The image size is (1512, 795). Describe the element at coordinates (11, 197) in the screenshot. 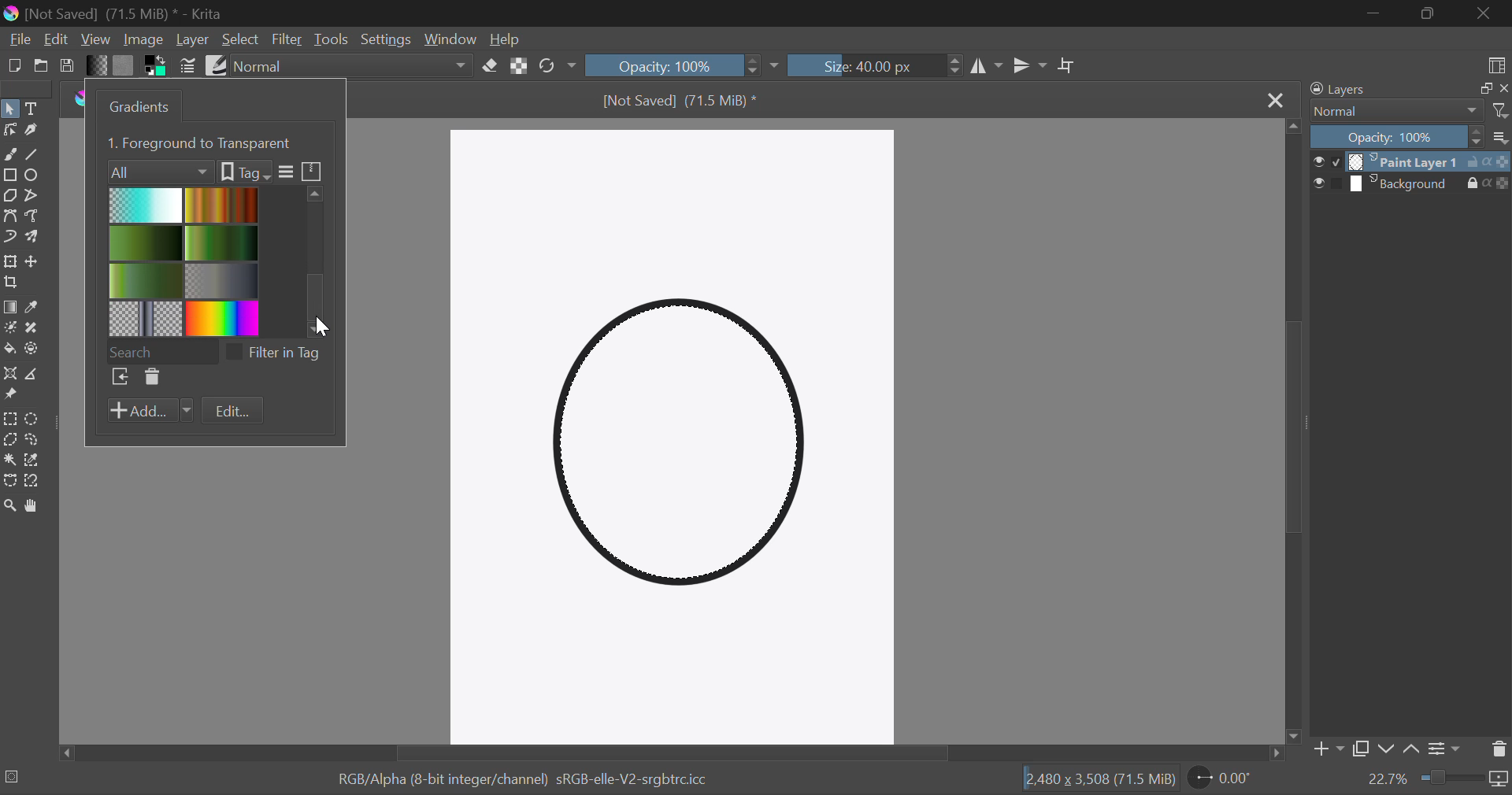

I see `Polygon` at that location.